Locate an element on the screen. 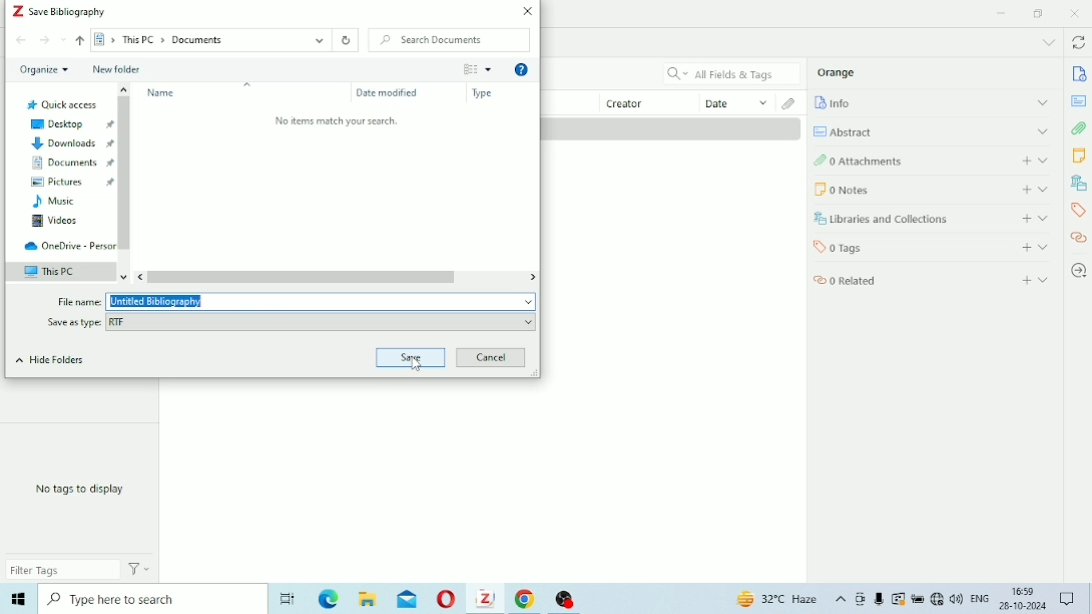  Name is located at coordinates (163, 93).